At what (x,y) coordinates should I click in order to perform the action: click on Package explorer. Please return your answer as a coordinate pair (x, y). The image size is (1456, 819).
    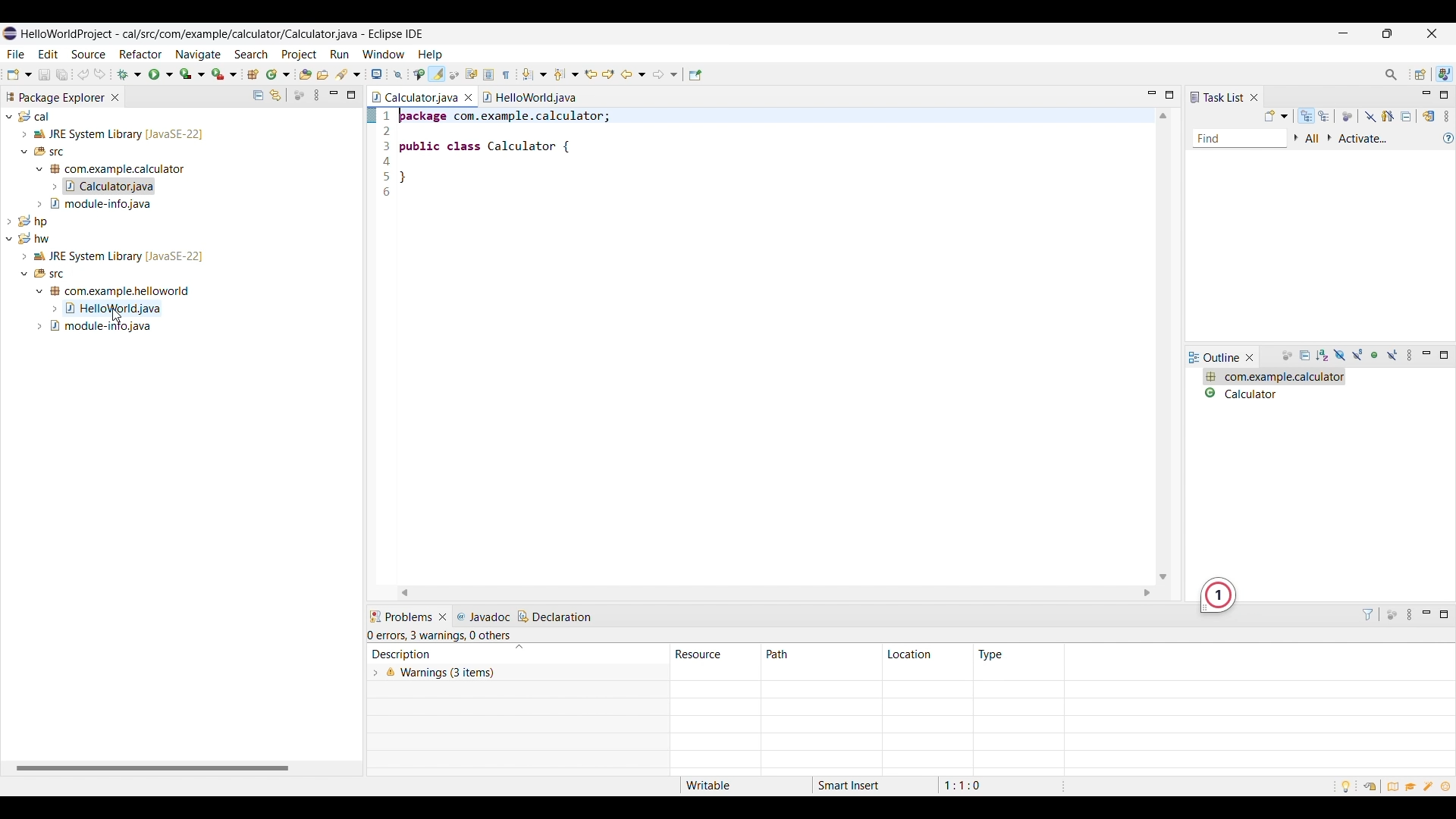
    Looking at the image, I should click on (55, 97).